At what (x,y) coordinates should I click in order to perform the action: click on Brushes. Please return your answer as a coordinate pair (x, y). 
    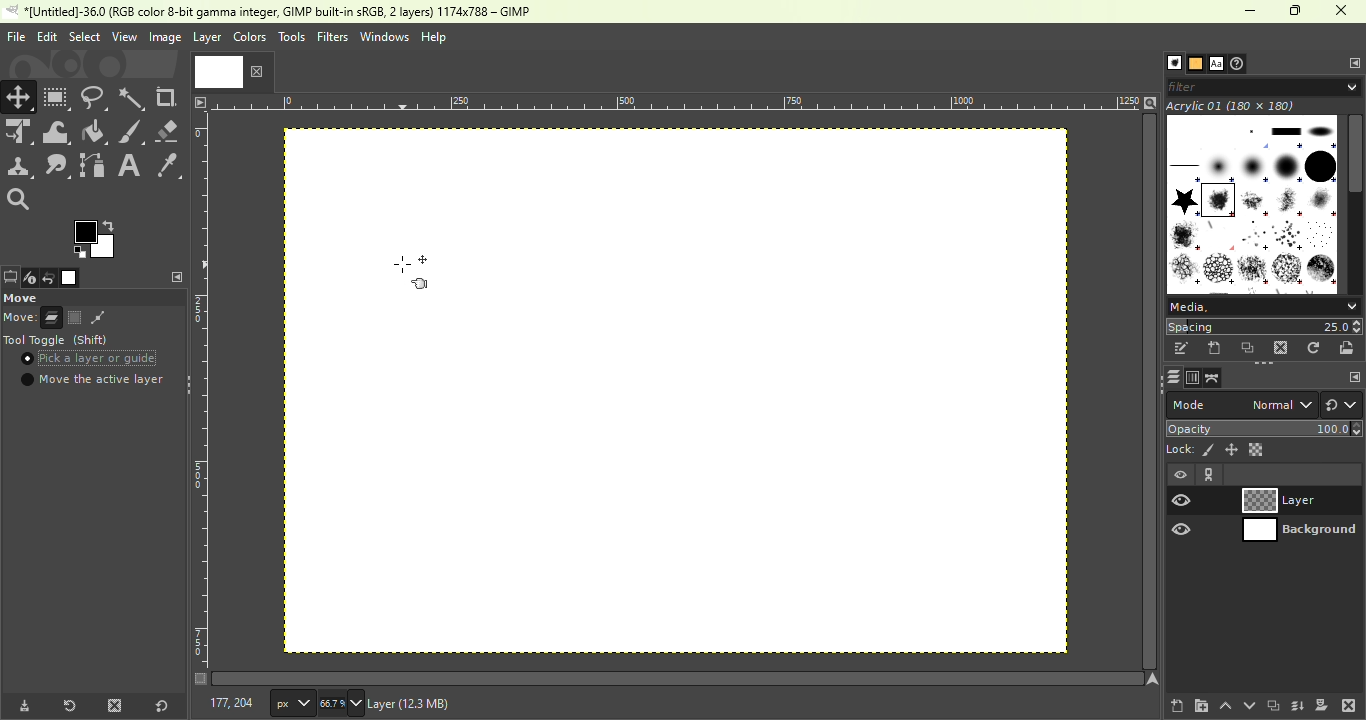
    Looking at the image, I should click on (1169, 63).